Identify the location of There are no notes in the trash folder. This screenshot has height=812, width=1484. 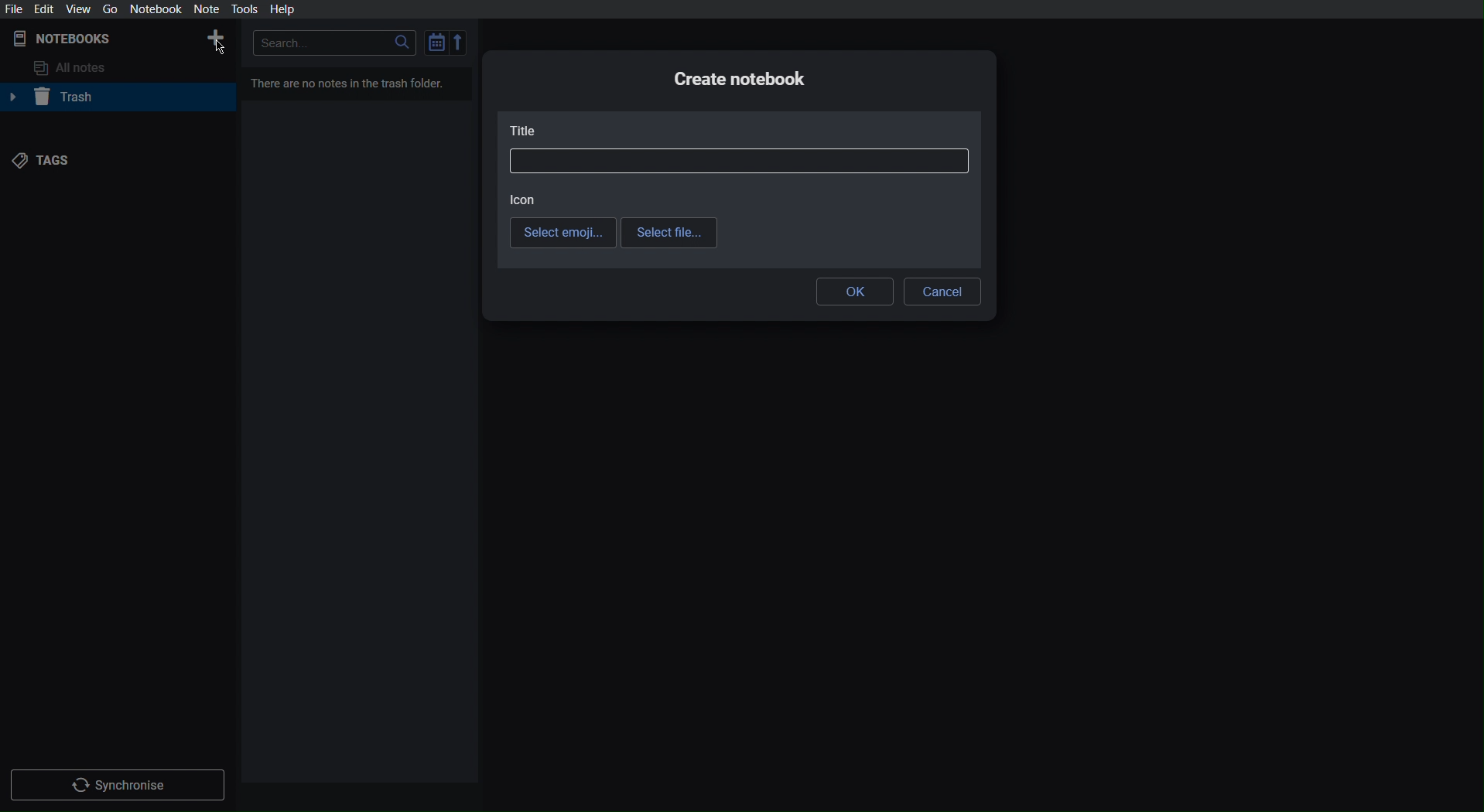
(344, 83).